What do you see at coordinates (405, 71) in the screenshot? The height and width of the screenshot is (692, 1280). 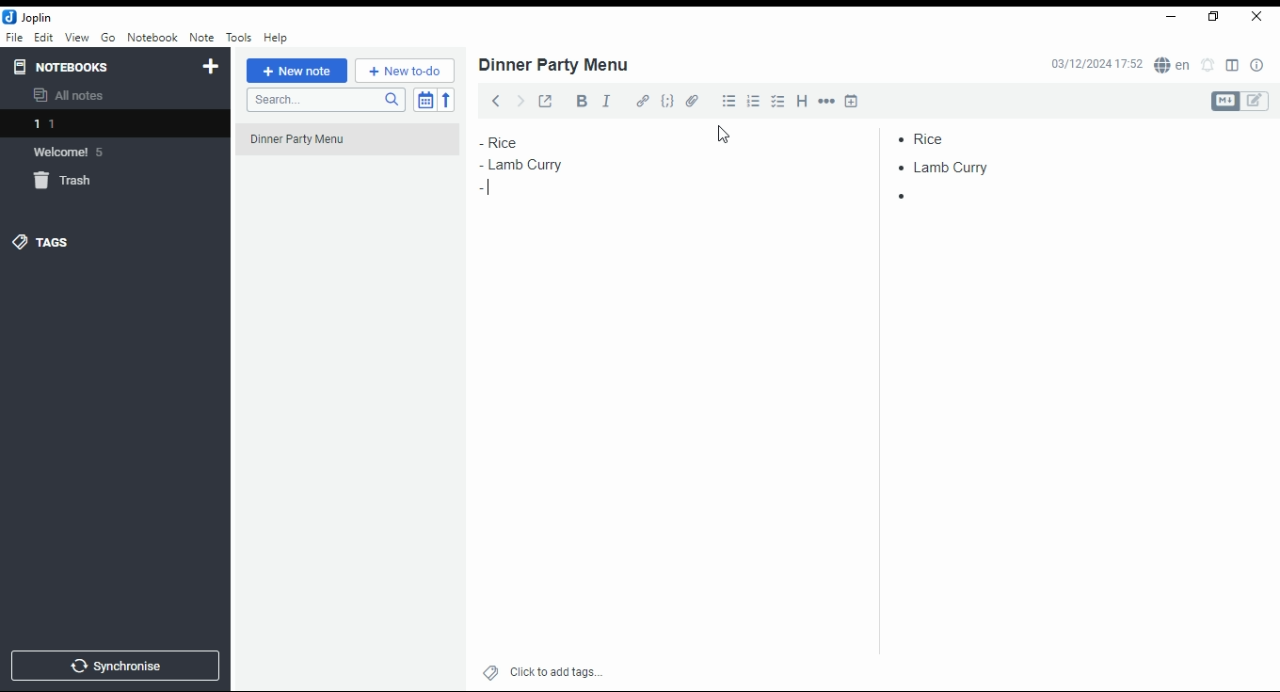 I see `new to-do list` at bounding box center [405, 71].